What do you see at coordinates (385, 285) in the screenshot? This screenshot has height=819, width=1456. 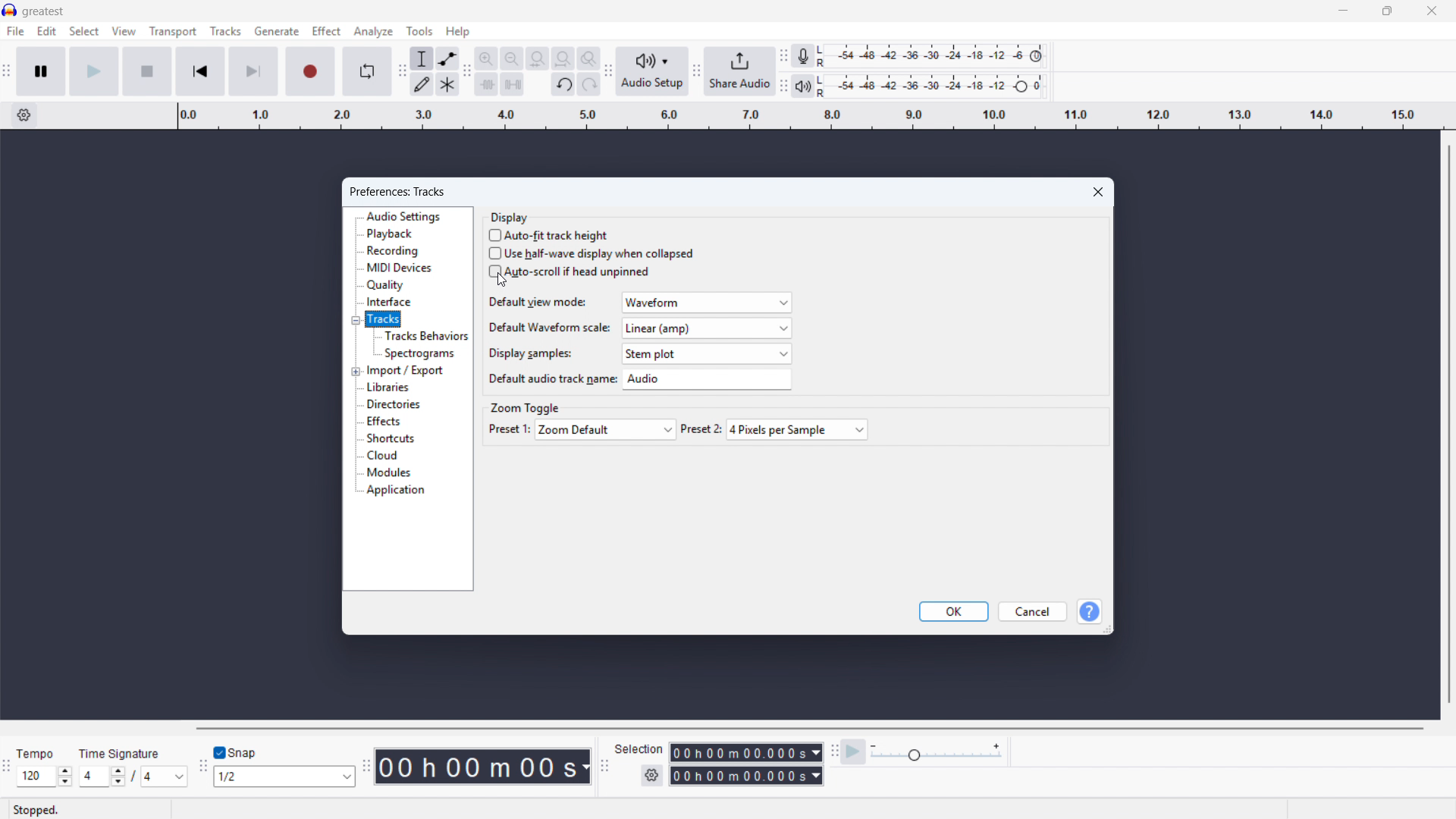 I see `Quality ` at bounding box center [385, 285].